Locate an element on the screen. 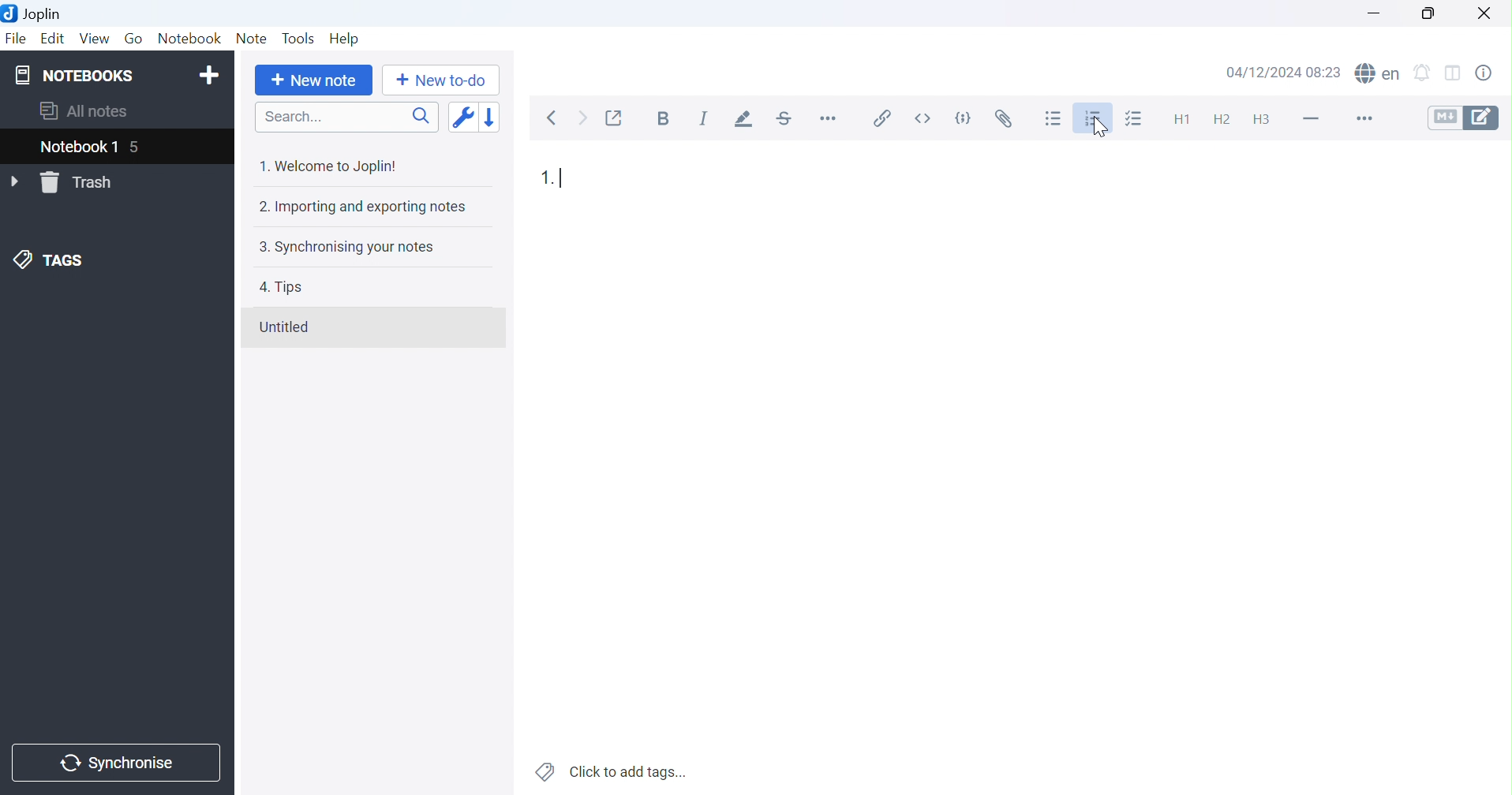 The height and width of the screenshot is (795, 1512). Click to add tags is located at coordinates (612, 770).